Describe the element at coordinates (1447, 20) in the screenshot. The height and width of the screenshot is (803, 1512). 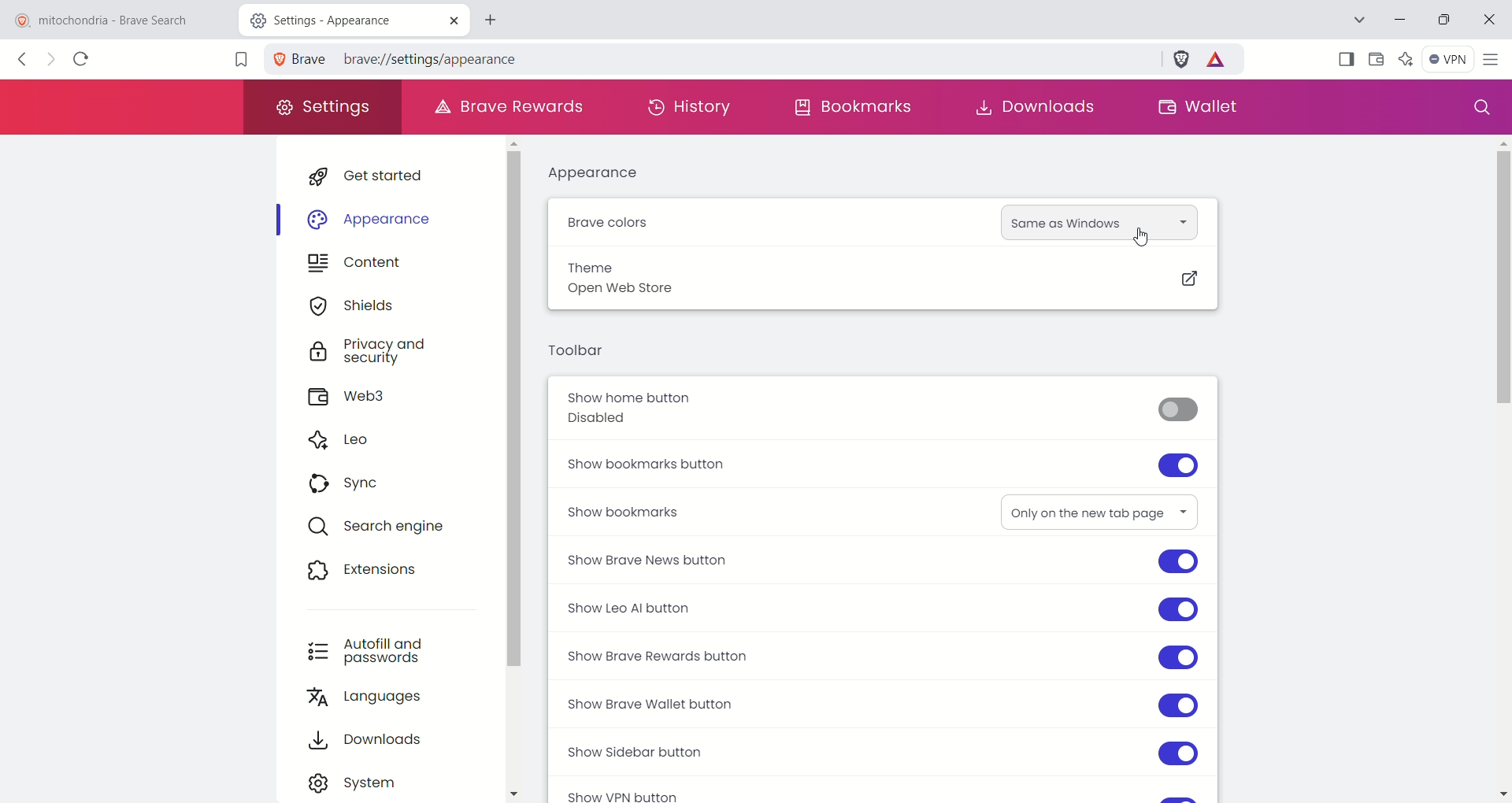
I see `maximize` at that location.